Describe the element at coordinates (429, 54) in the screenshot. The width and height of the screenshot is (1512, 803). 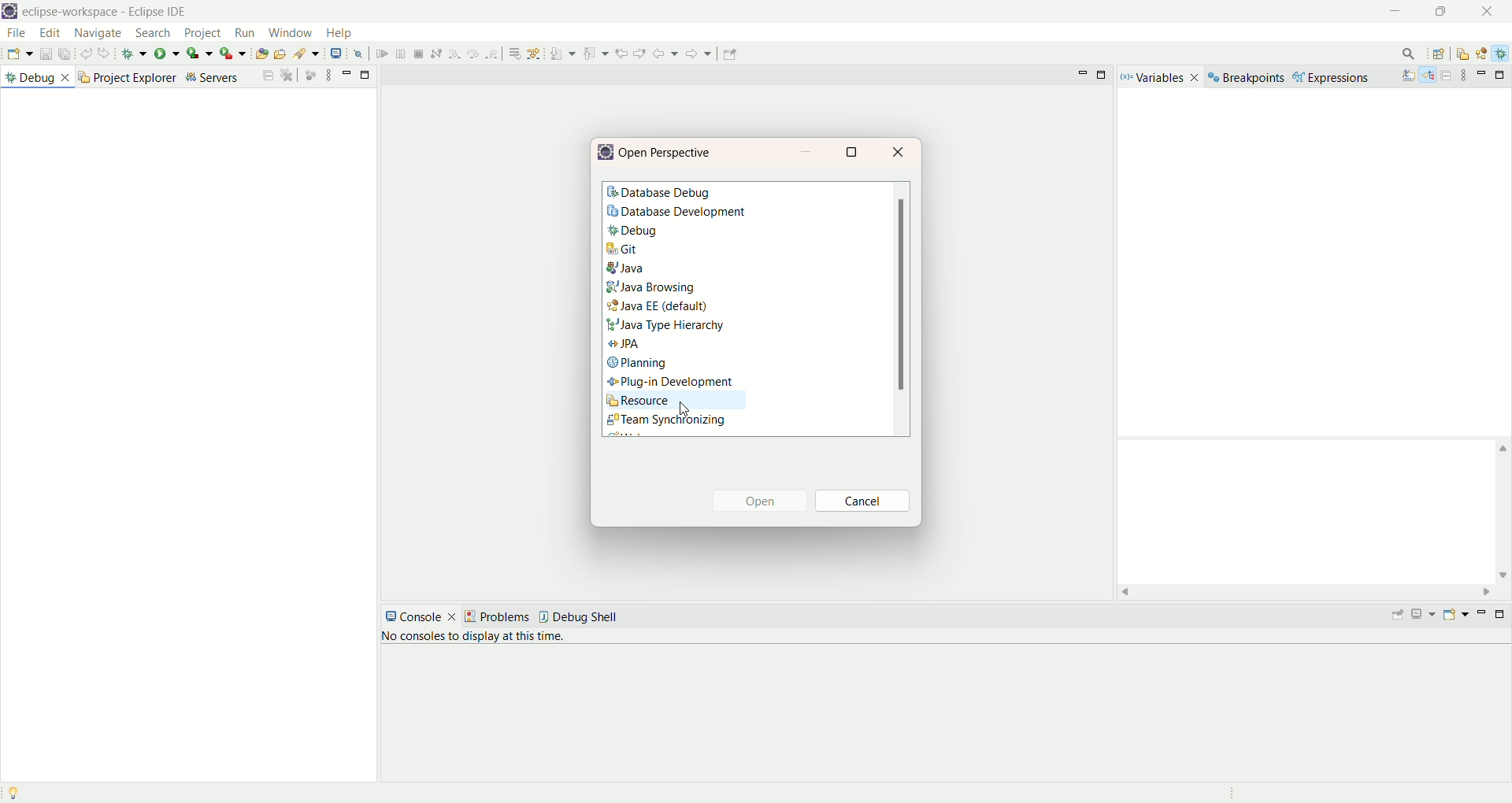
I see `launch web service explorer` at that location.